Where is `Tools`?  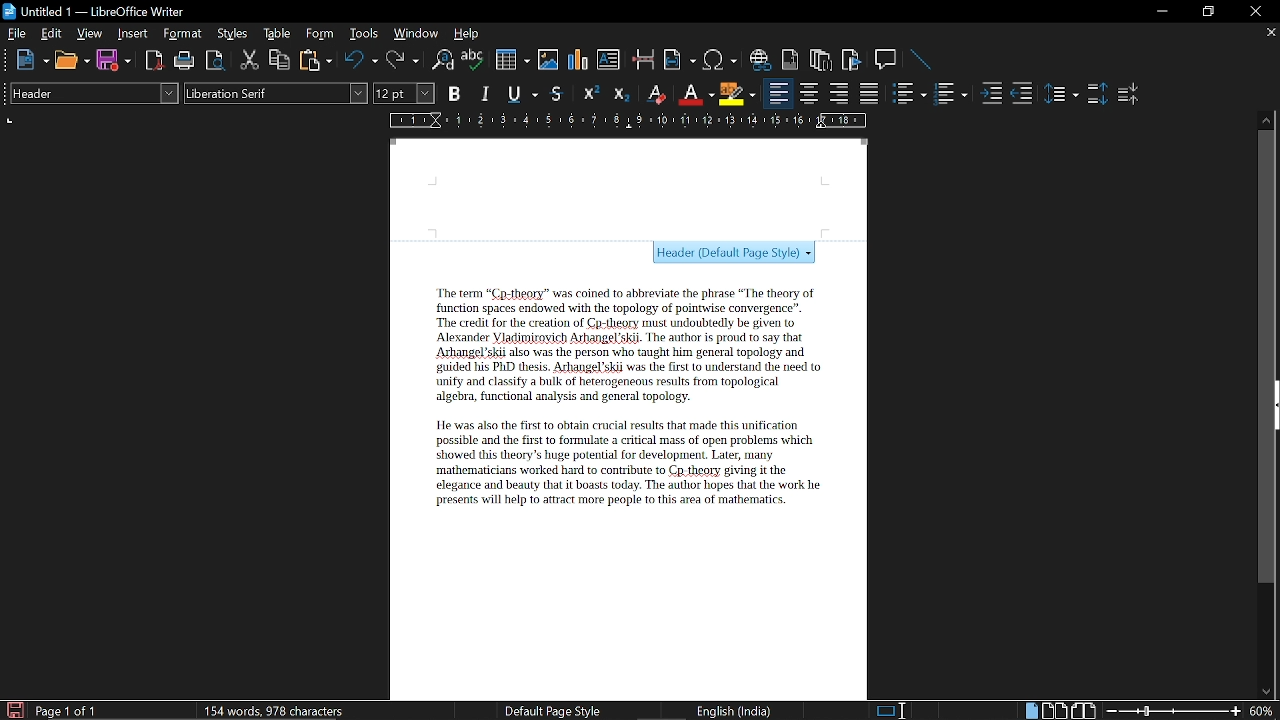
Tools is located at coordinates (364, 34).